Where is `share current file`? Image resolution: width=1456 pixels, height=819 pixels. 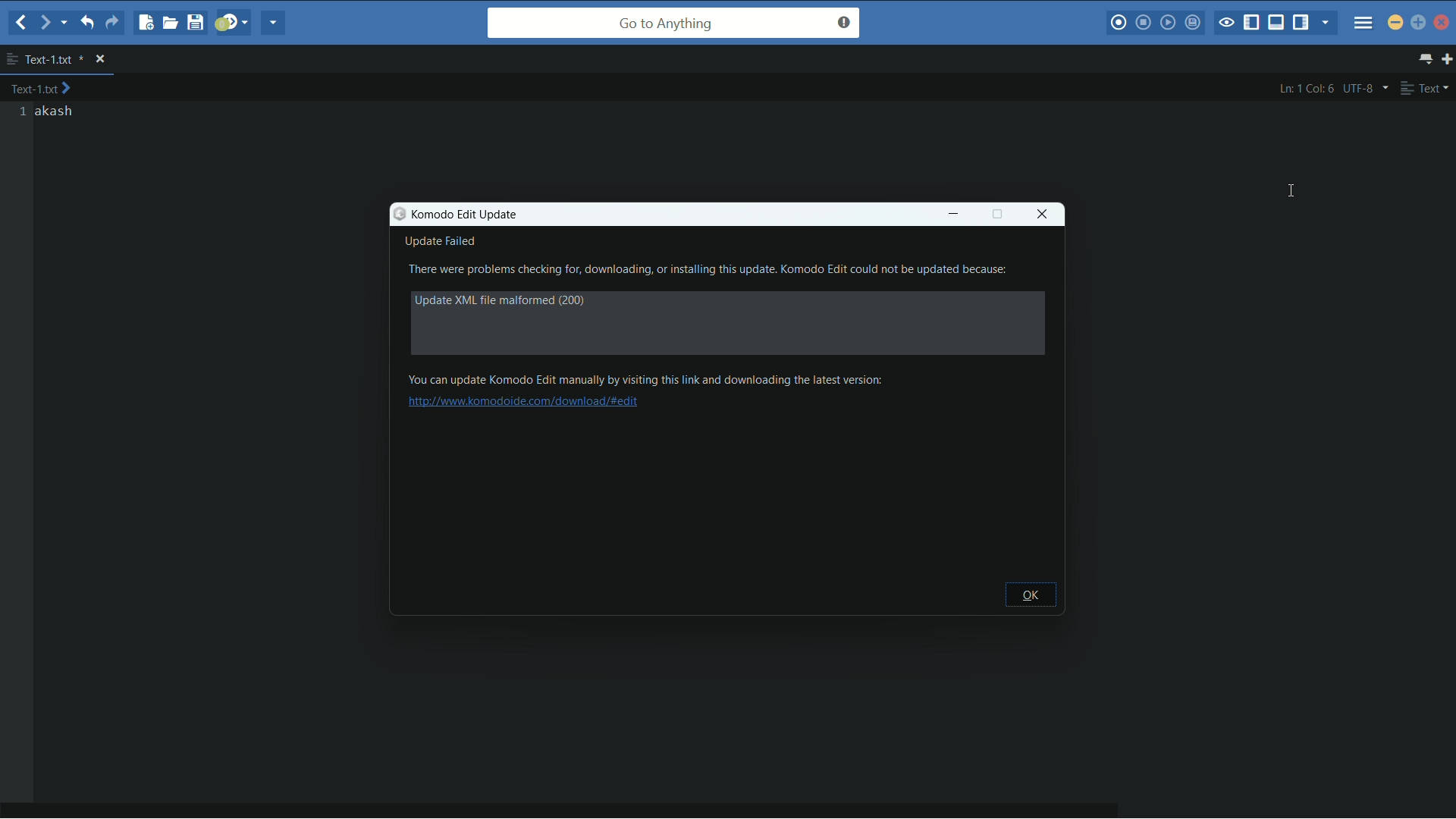
share current file is located at coordinates (272, 23).